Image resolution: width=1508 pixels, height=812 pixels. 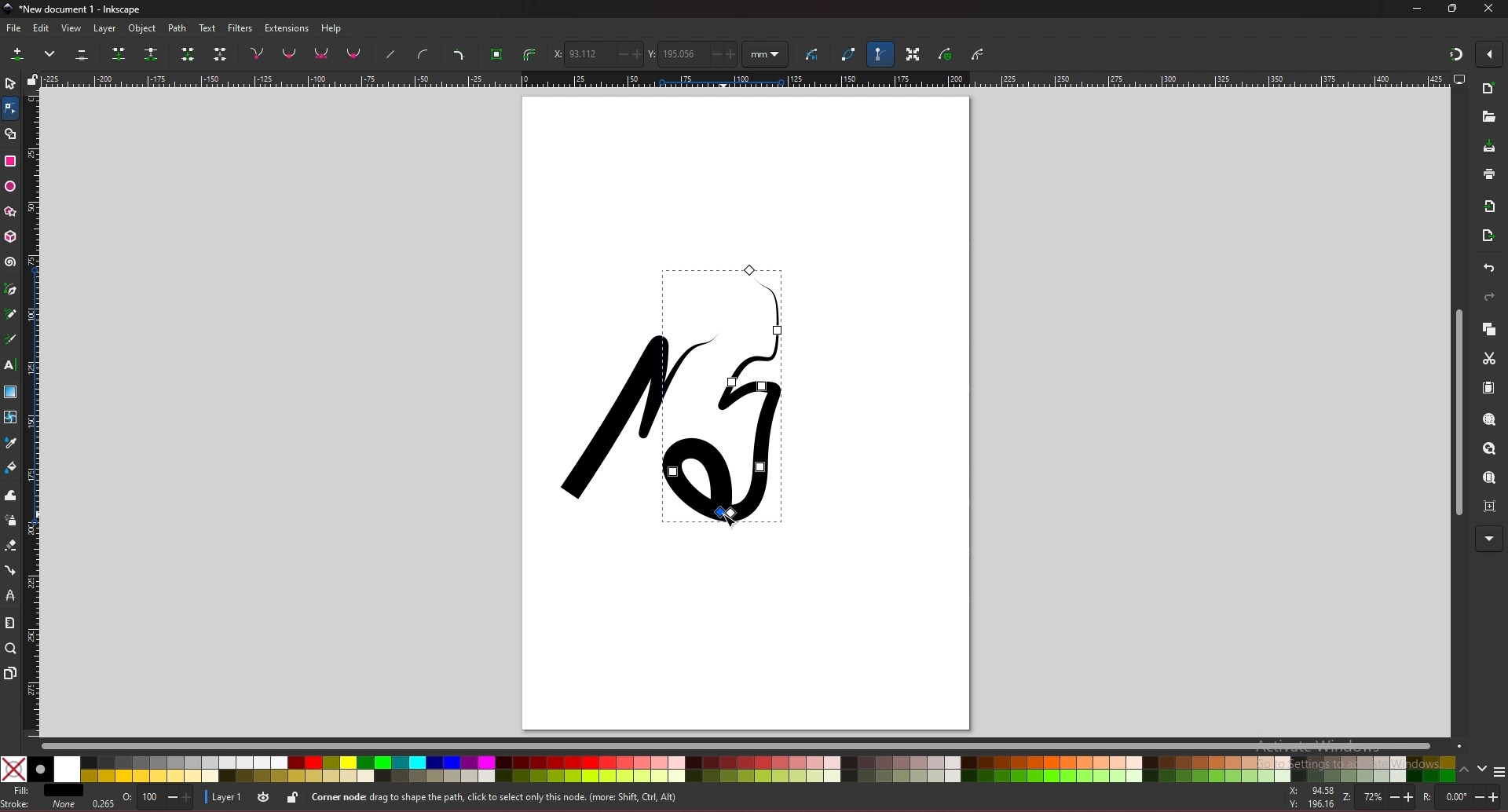 I want to click on spiral, so click(x=11, y=264).